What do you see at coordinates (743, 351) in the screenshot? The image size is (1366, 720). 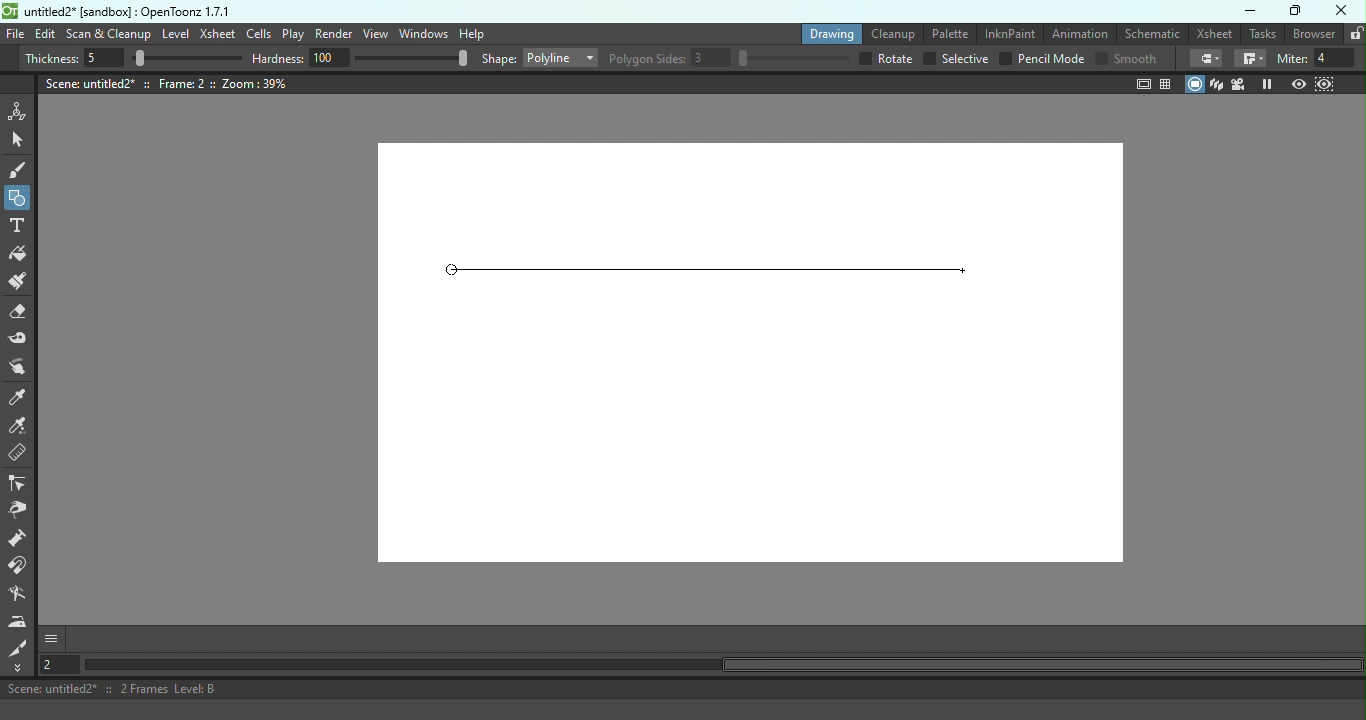 I see `Canvas` at bounding box center [743, 351].